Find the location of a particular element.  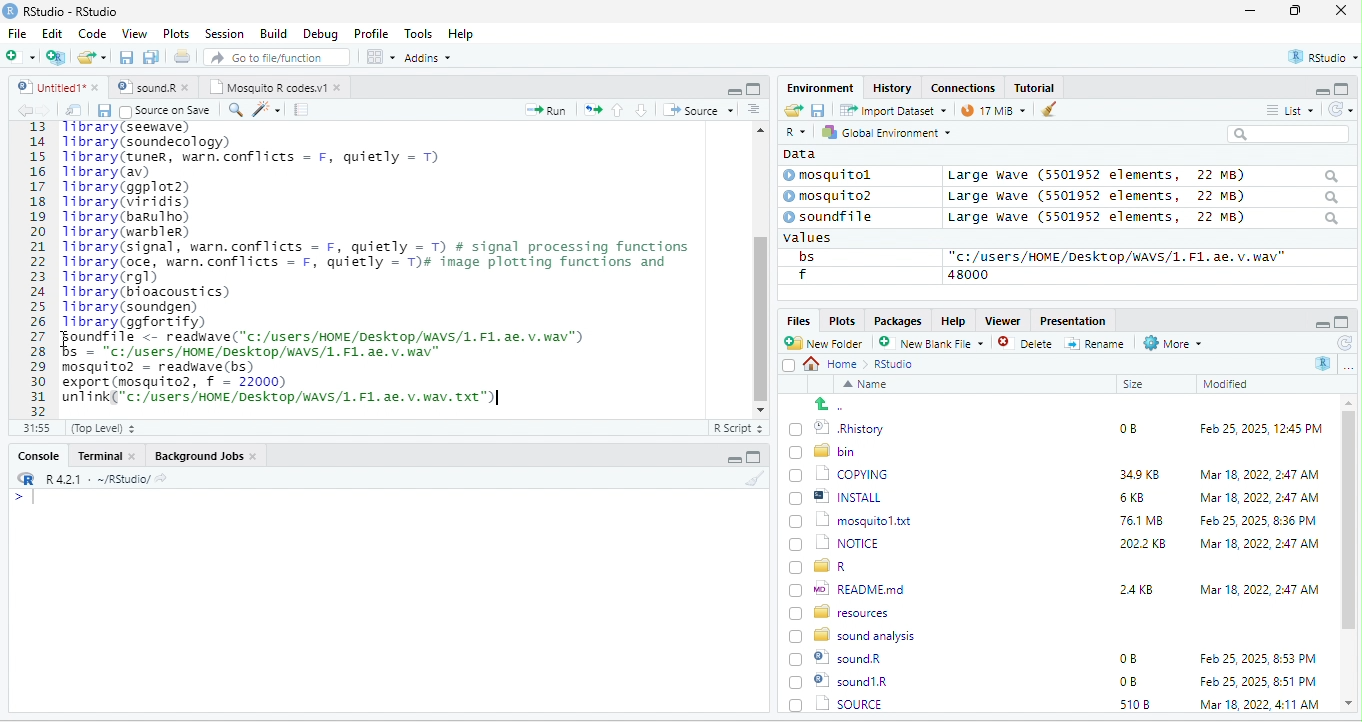

R Script 5 is located at coordinates (739, 428).